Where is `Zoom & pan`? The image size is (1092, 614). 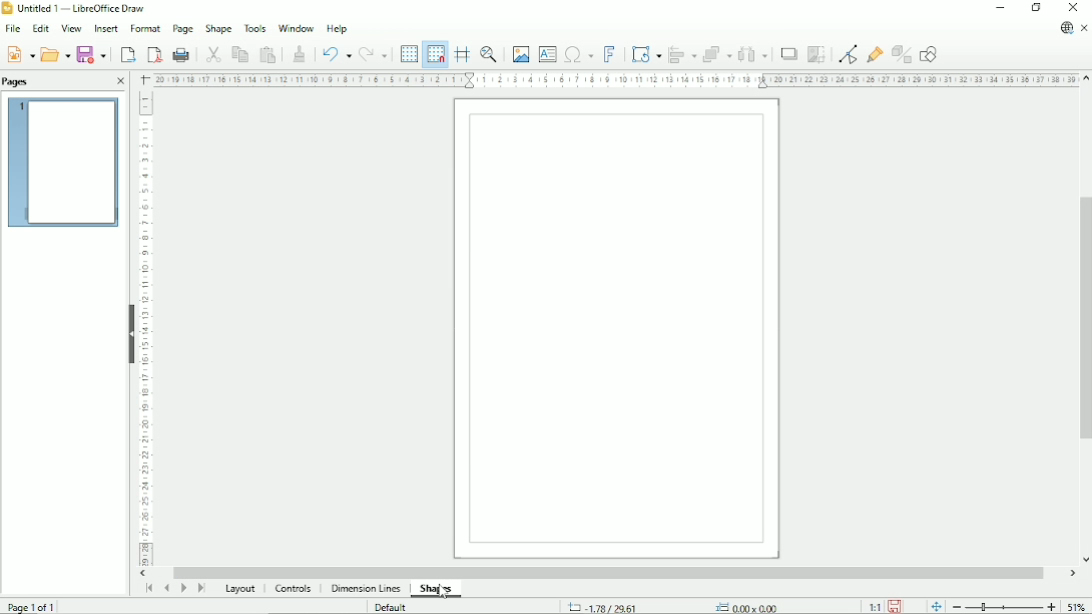
Zoom & pan is located at coordinates (487, 52).